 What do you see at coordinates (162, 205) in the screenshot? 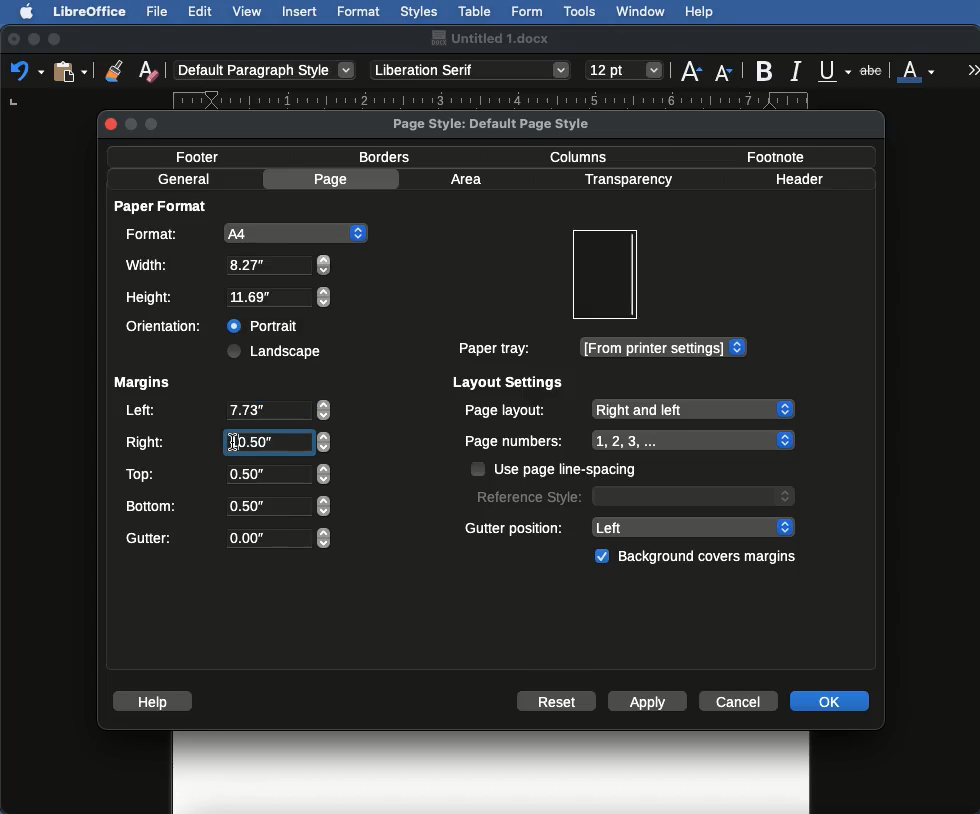
I see `Paper format` at bounding box center [162, 205].